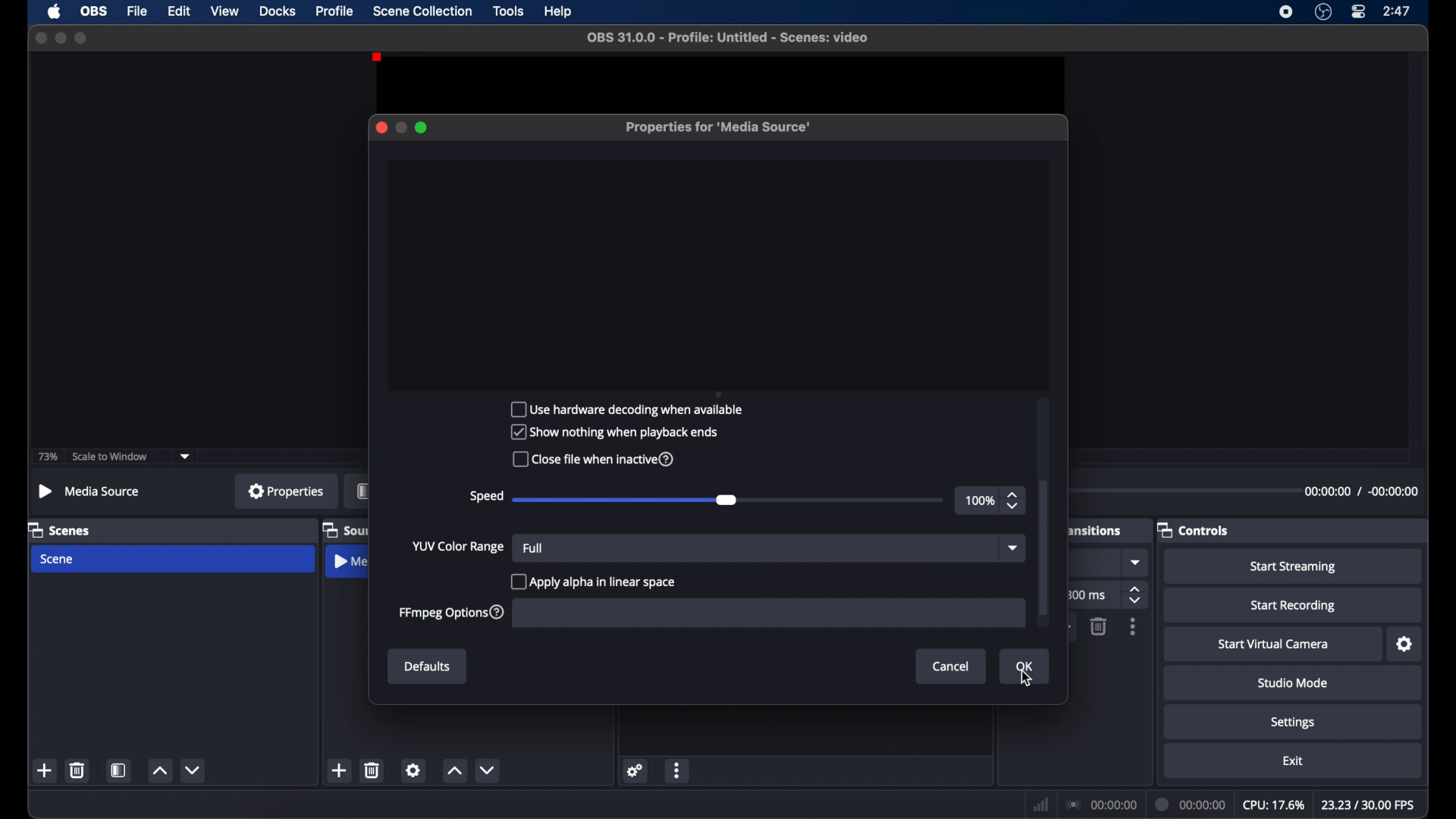  Describe the element at coordinates (601, 460) in the screenshot. I see `Close file when inactive` at that location.